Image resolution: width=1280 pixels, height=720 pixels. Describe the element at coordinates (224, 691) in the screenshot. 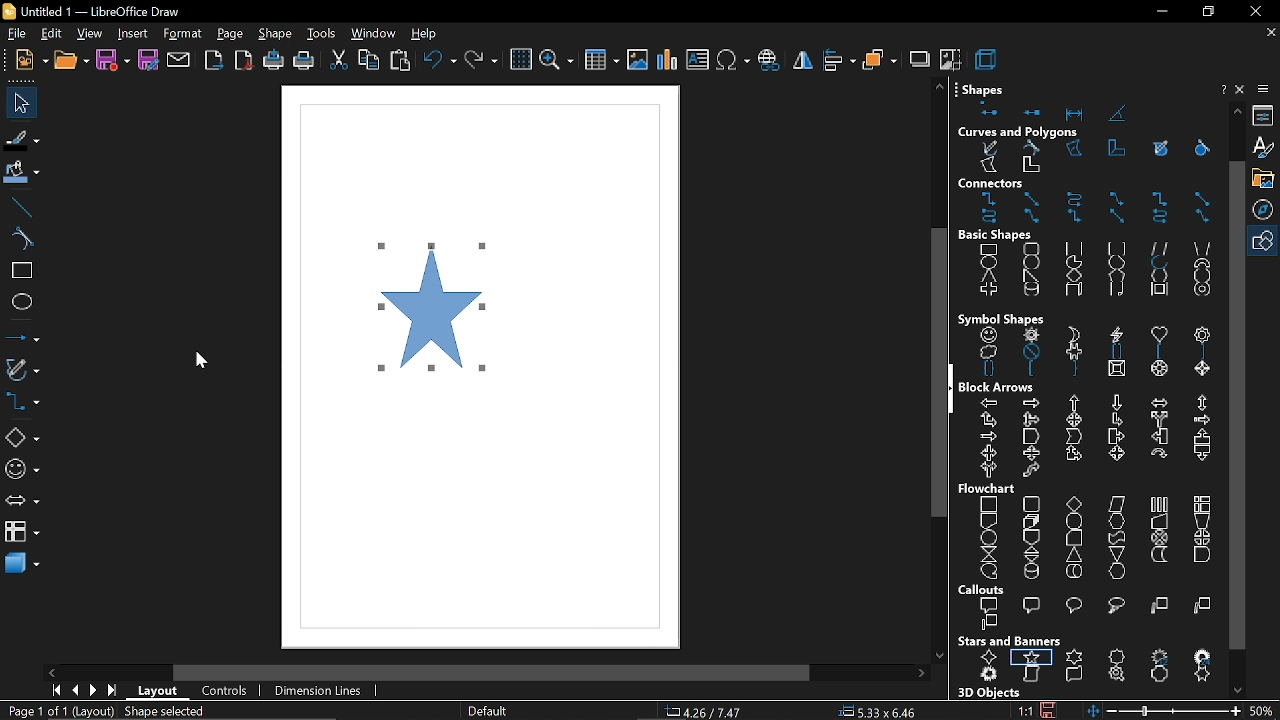

I see `controls` at that location.